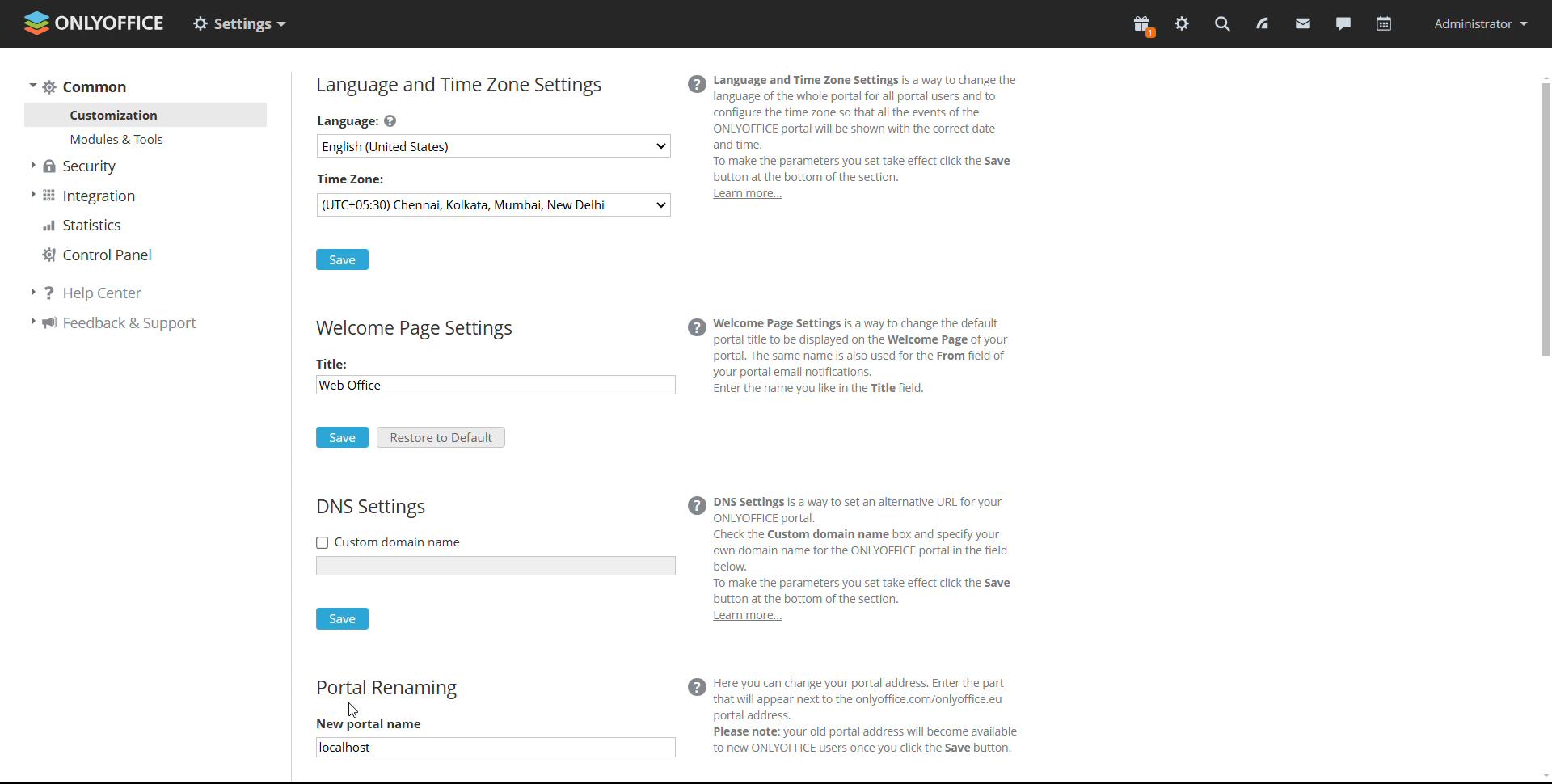  Describe the element at coordinates (1343, 23) in the screenshot. I see `chat` at that location.